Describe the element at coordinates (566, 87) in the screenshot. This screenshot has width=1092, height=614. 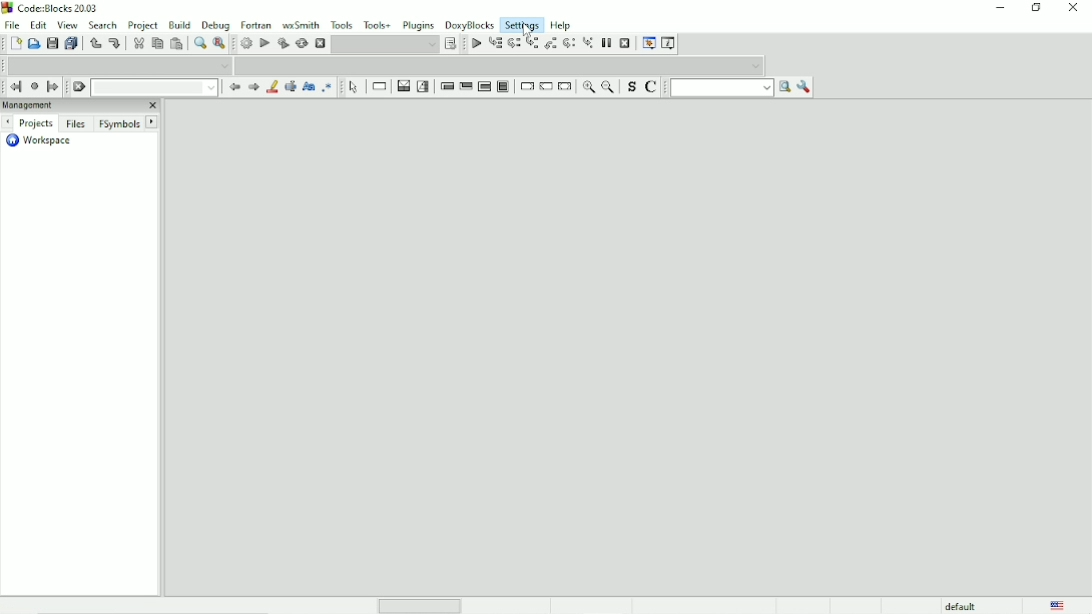
I see `Return instruction` at that location.